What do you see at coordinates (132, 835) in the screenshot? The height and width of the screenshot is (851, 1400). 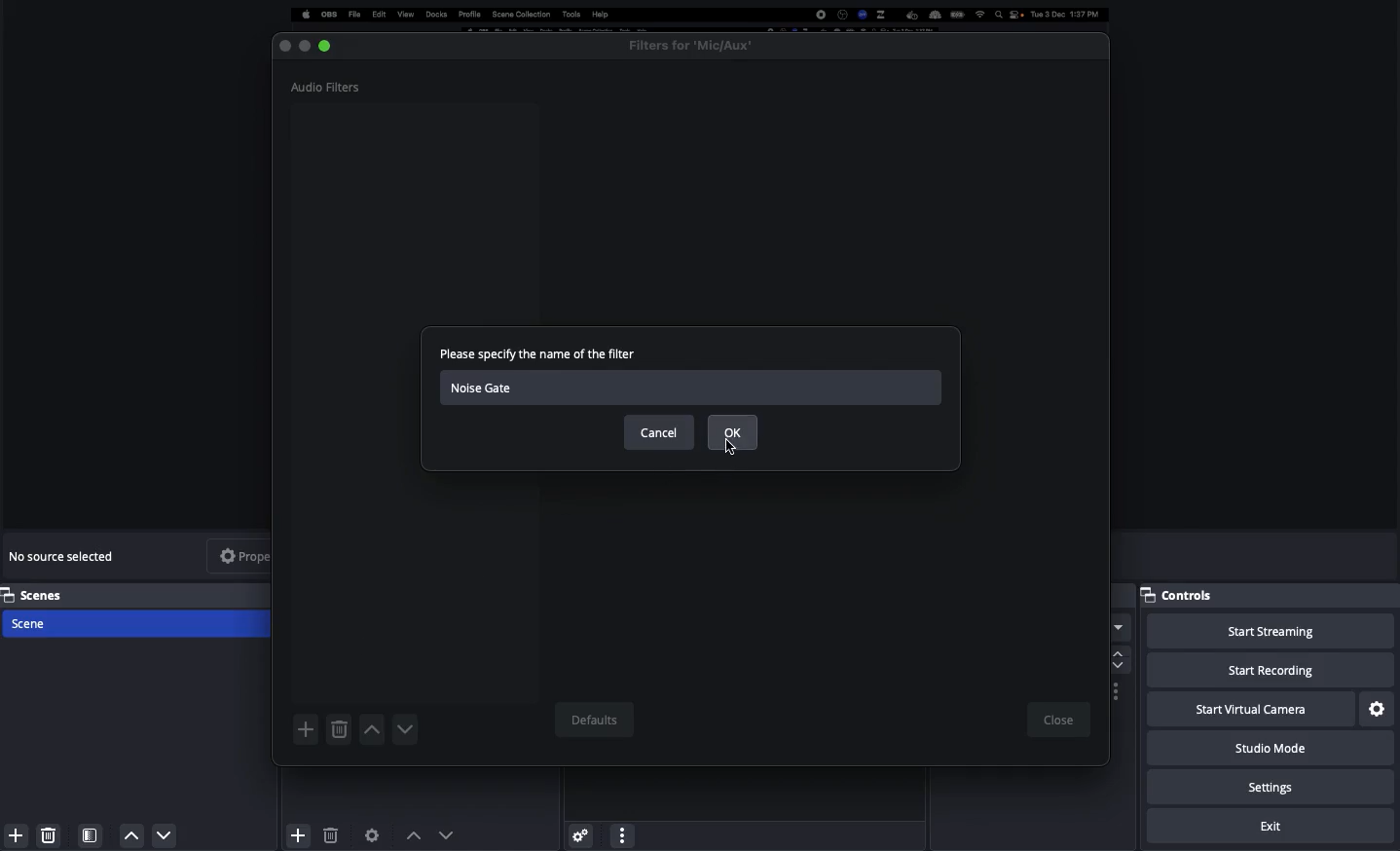 I see `Up` at bounding box center [132, 835].